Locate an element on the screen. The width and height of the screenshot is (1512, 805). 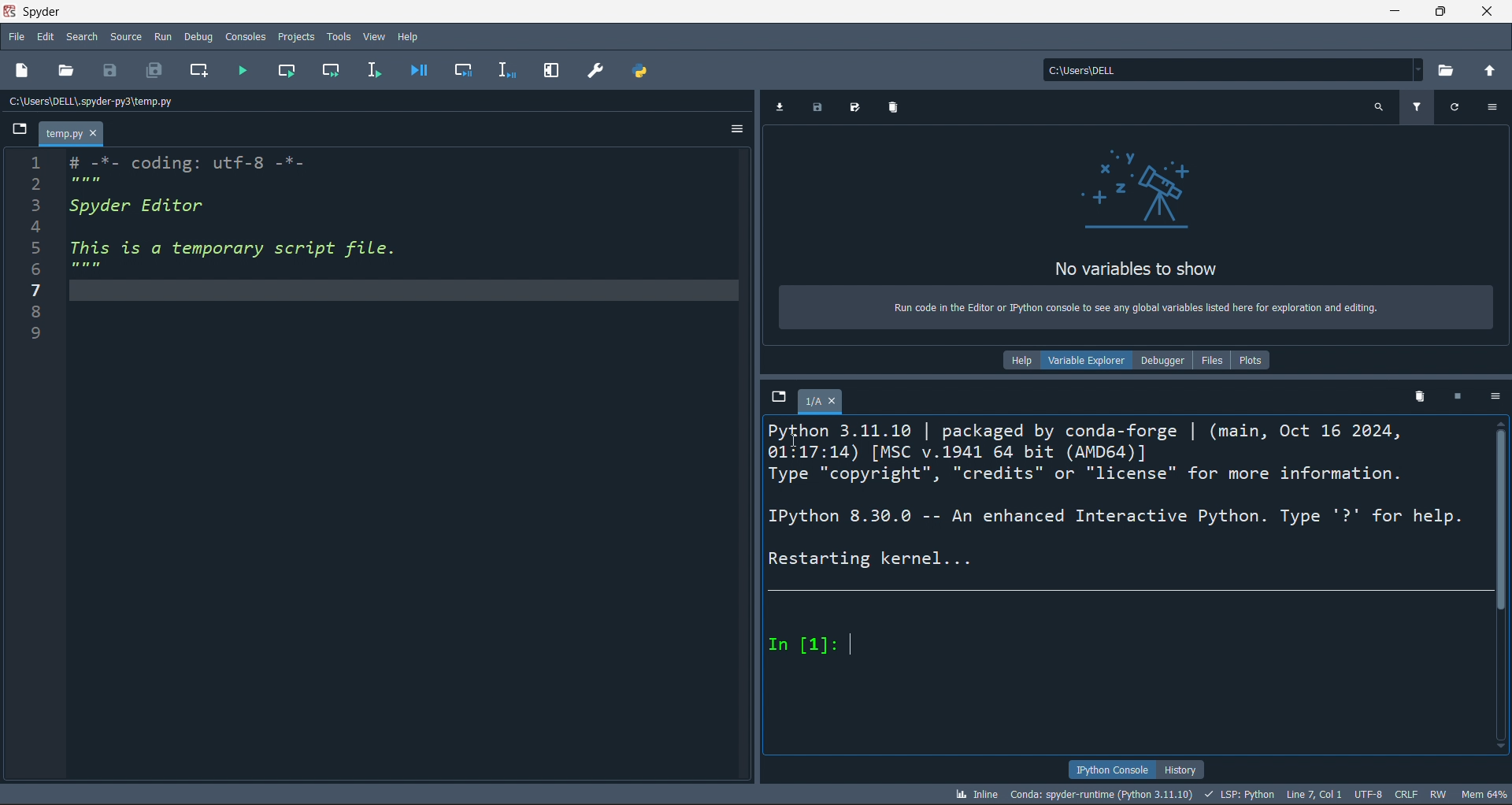
run cell is located at coordinates (287, 72).